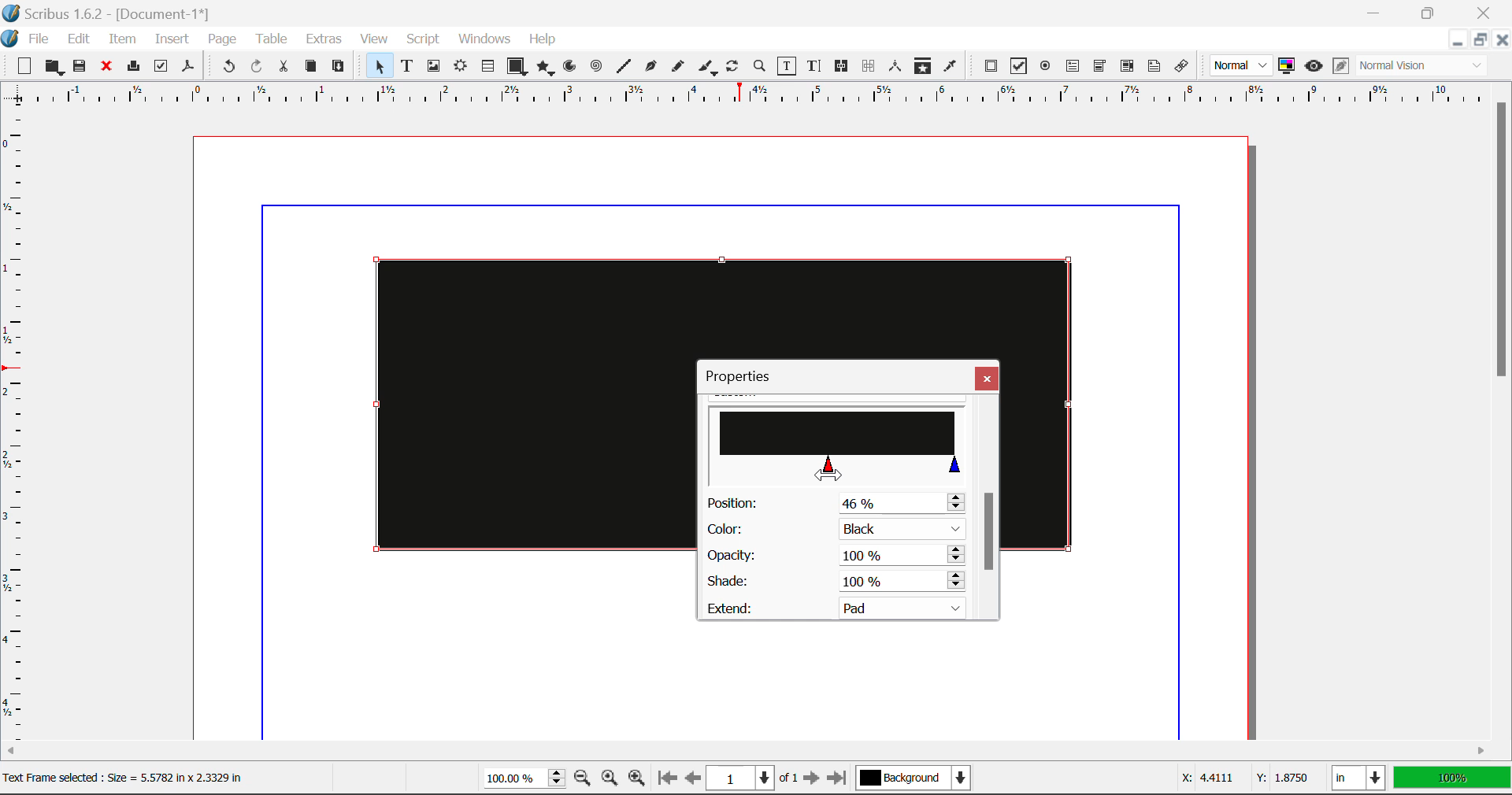 This screenshot has height=795, width=1512. Describe the element at coordinates (1423, 67) in the screenshot. I see `Visual Appearance Type` at that location.